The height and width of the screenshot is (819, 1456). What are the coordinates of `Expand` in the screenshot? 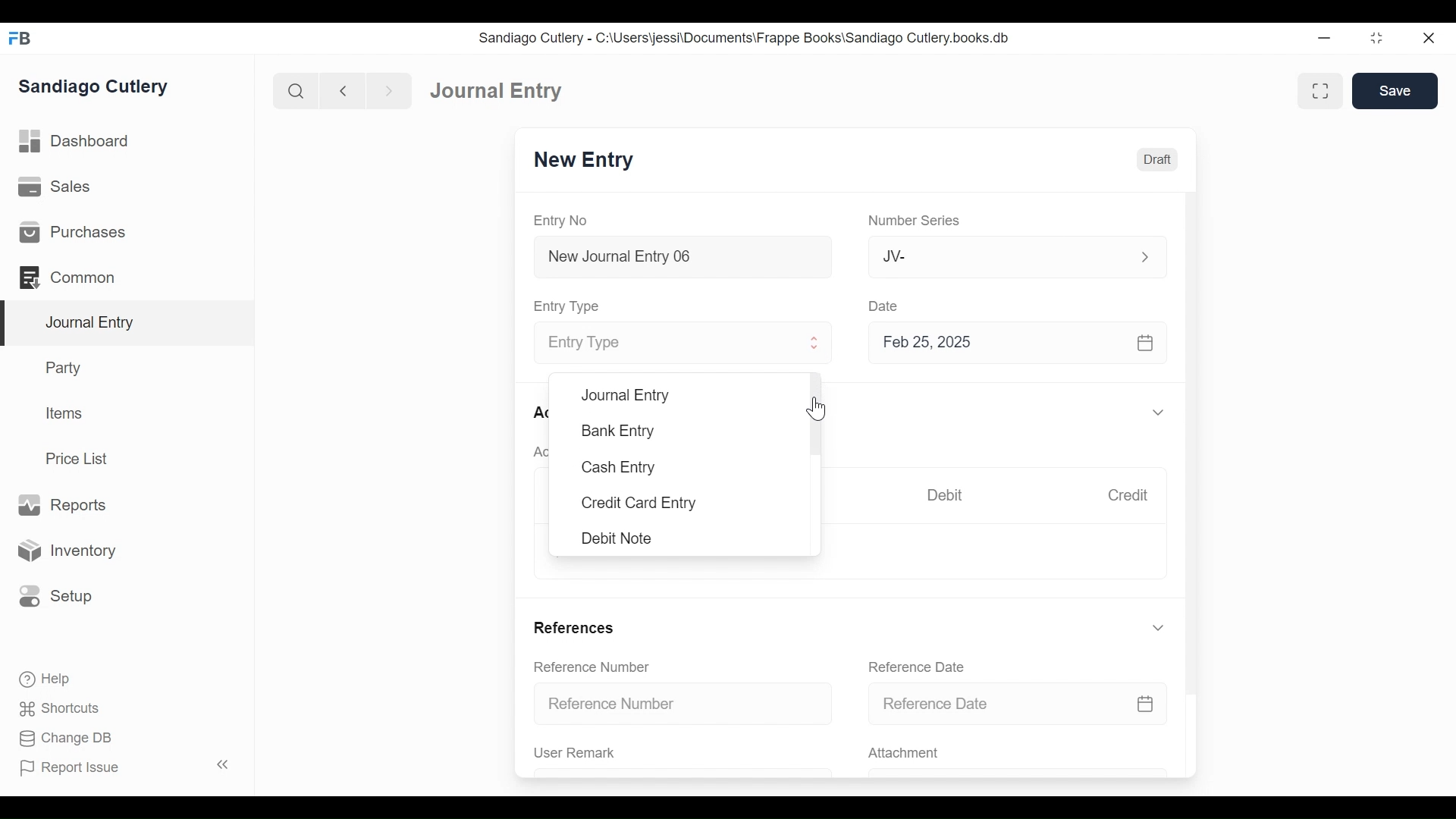 It's located at (1158, 628).